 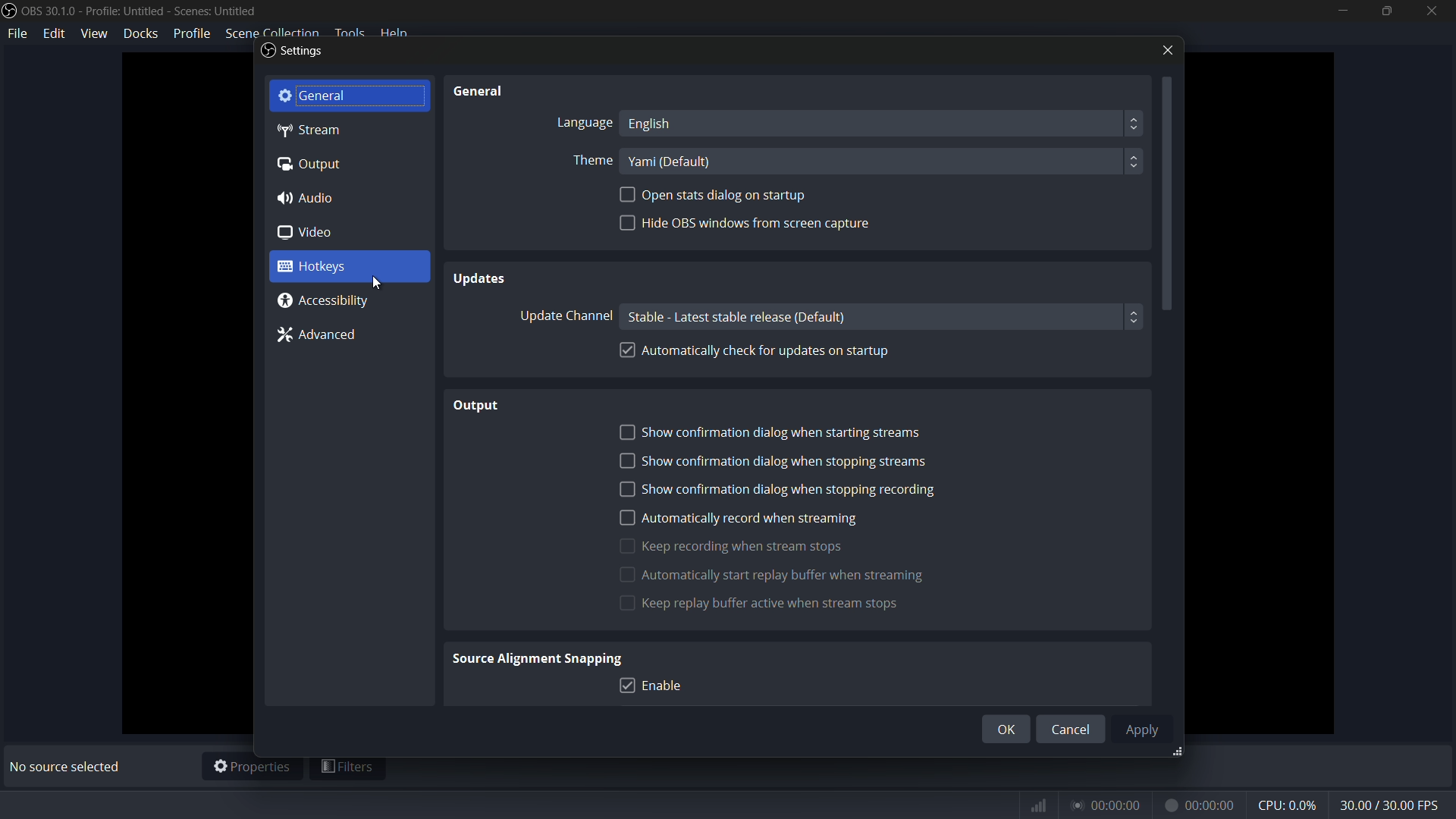 I want to click on timer, so click(x=1132, y=805).